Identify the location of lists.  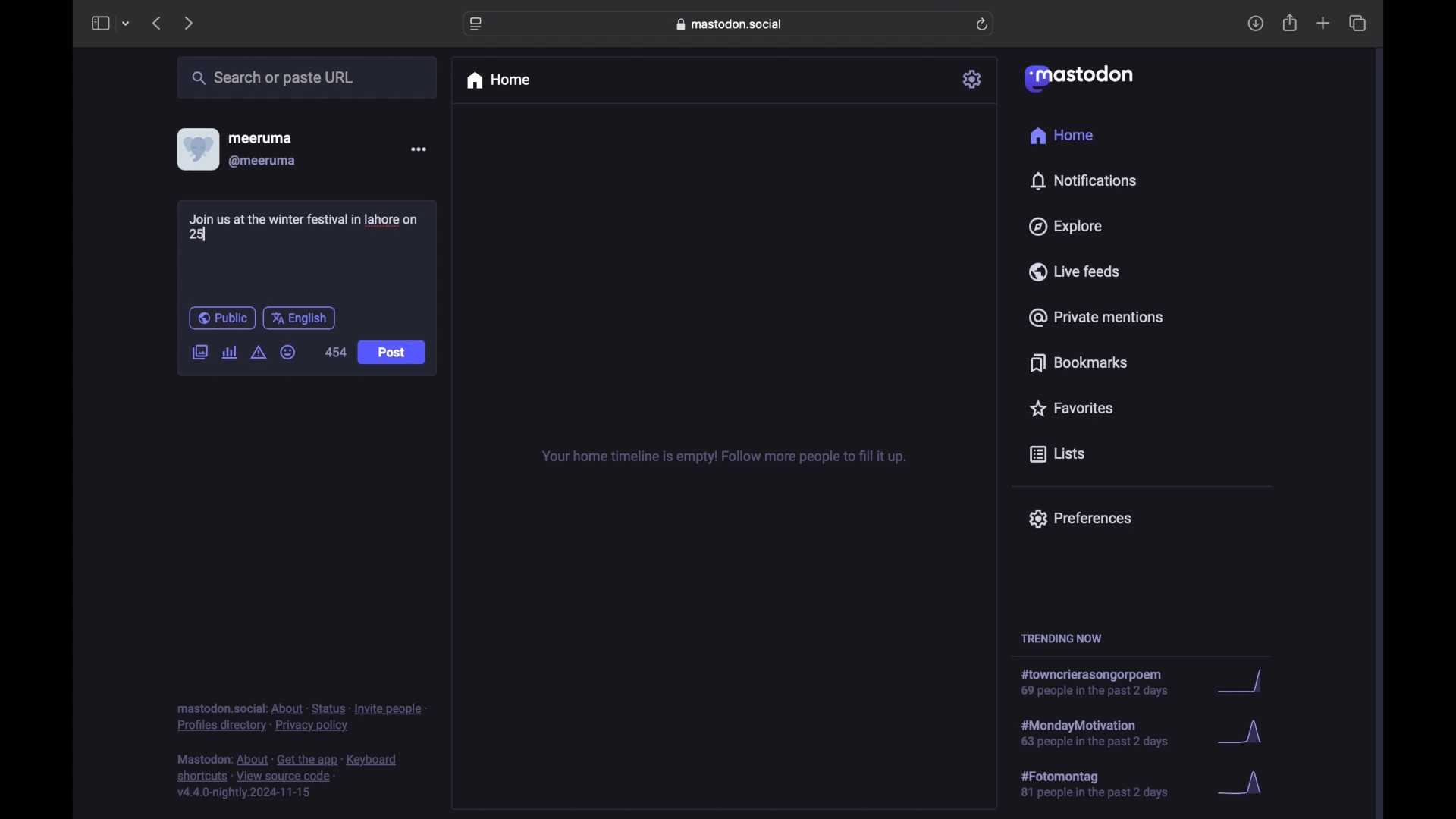
(1057, 455).